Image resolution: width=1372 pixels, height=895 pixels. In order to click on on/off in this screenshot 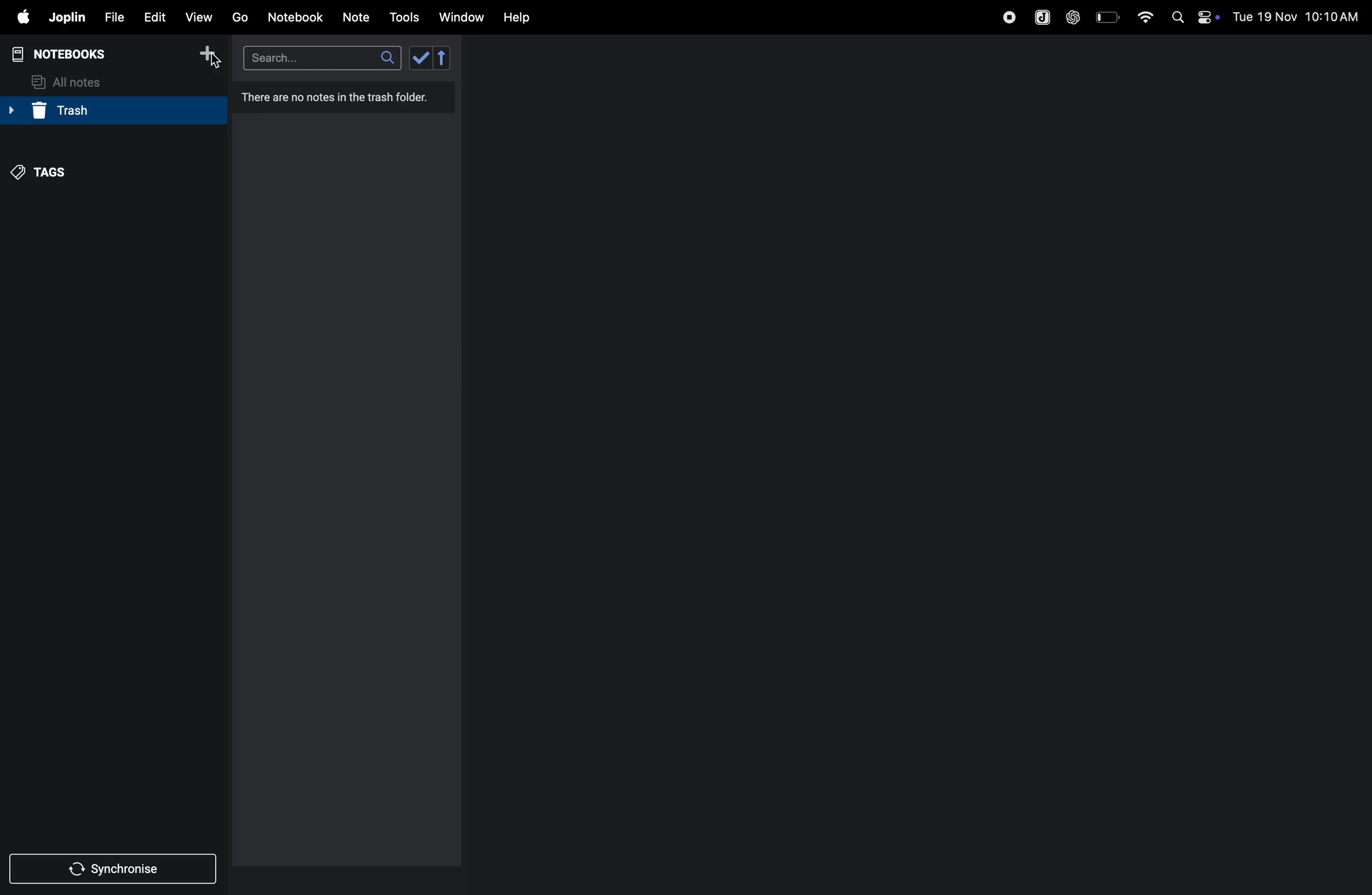, I will do `click(1208, 17)`.